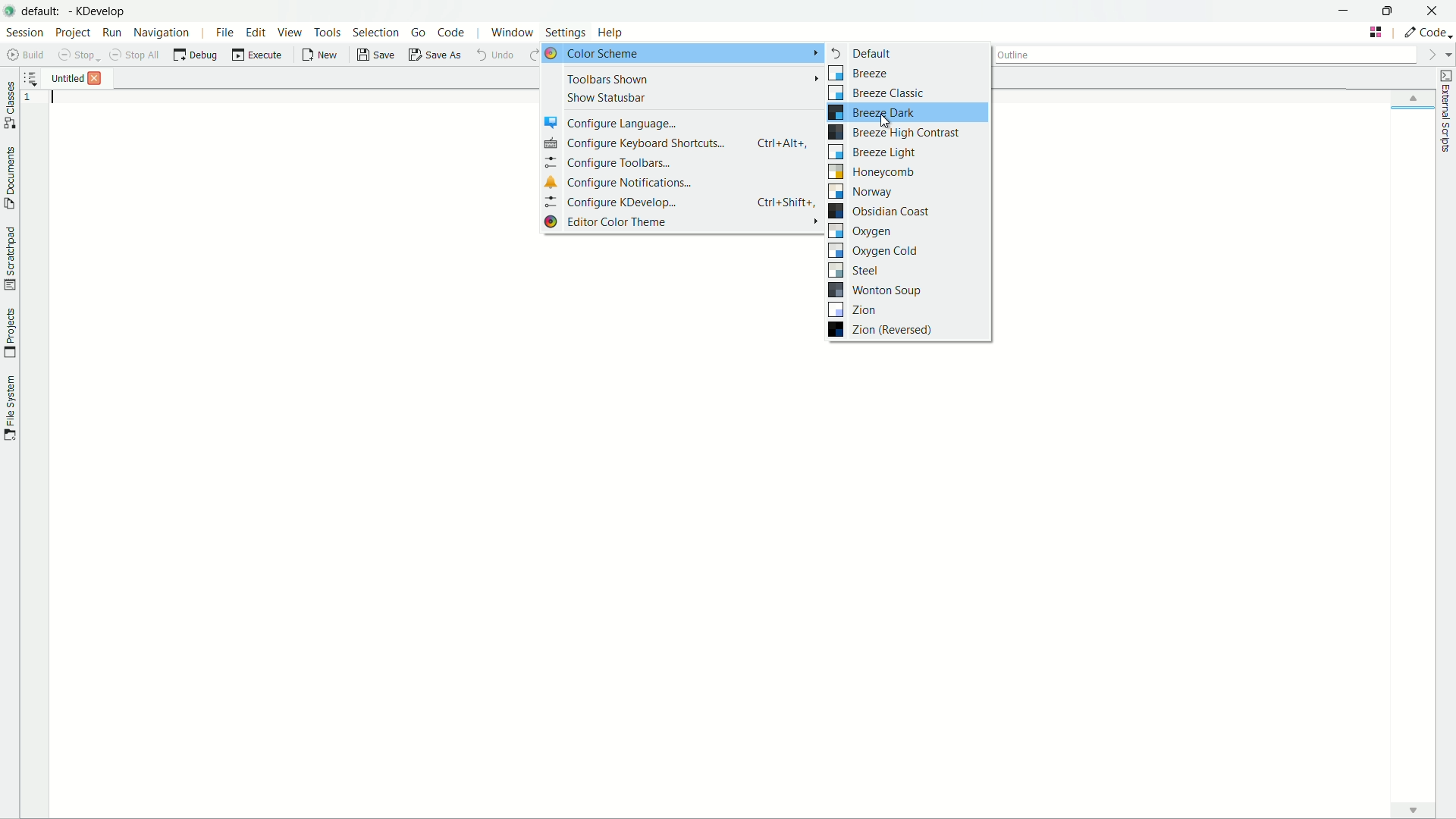  What do you see at coordinates (607, 162) in the screenshot?
I see `configure toolbars` at bounding box center [607, 162].